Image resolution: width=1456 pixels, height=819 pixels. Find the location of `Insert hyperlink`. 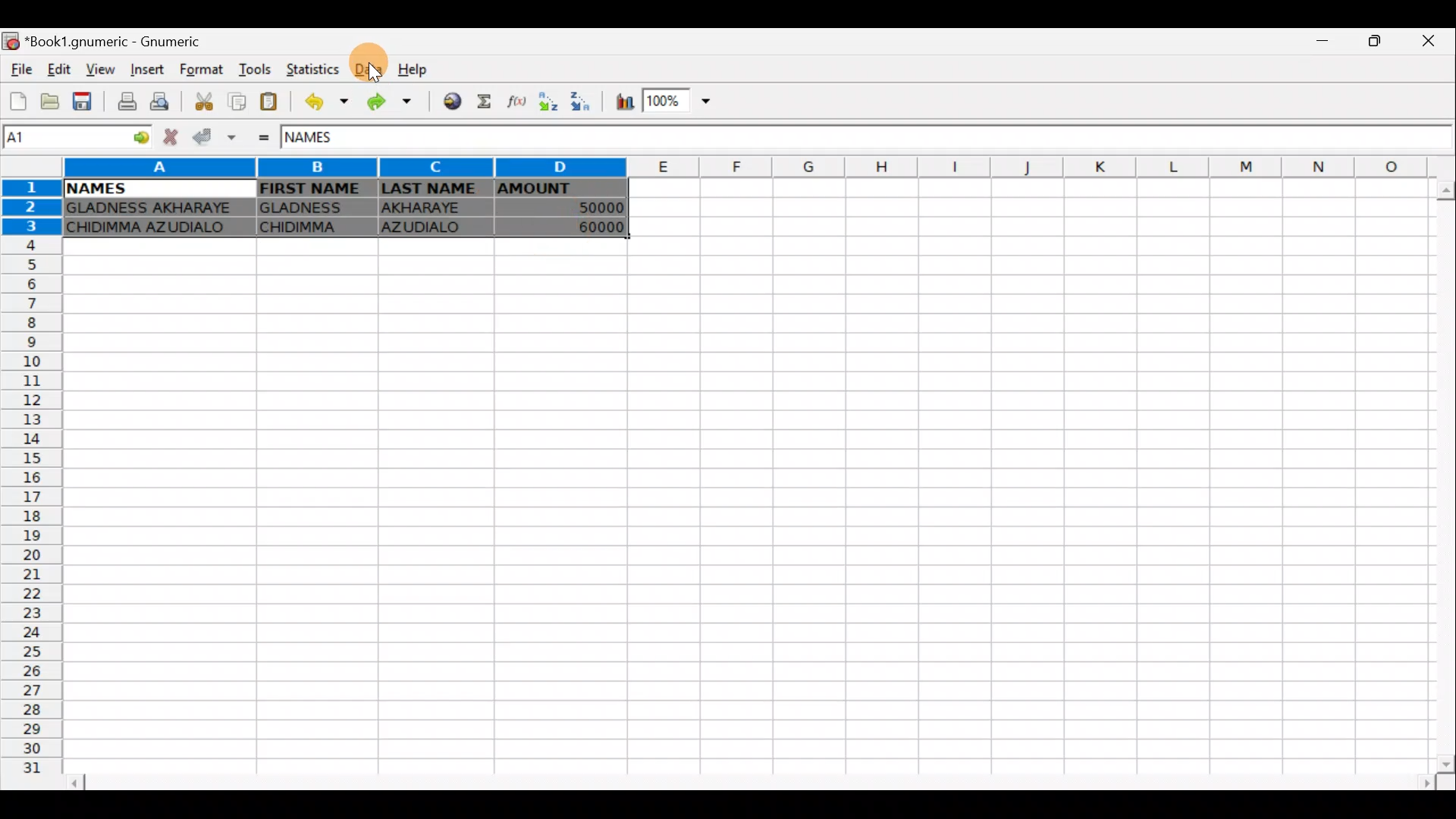

Insert hyperlink is located at coordinates (453, 100).